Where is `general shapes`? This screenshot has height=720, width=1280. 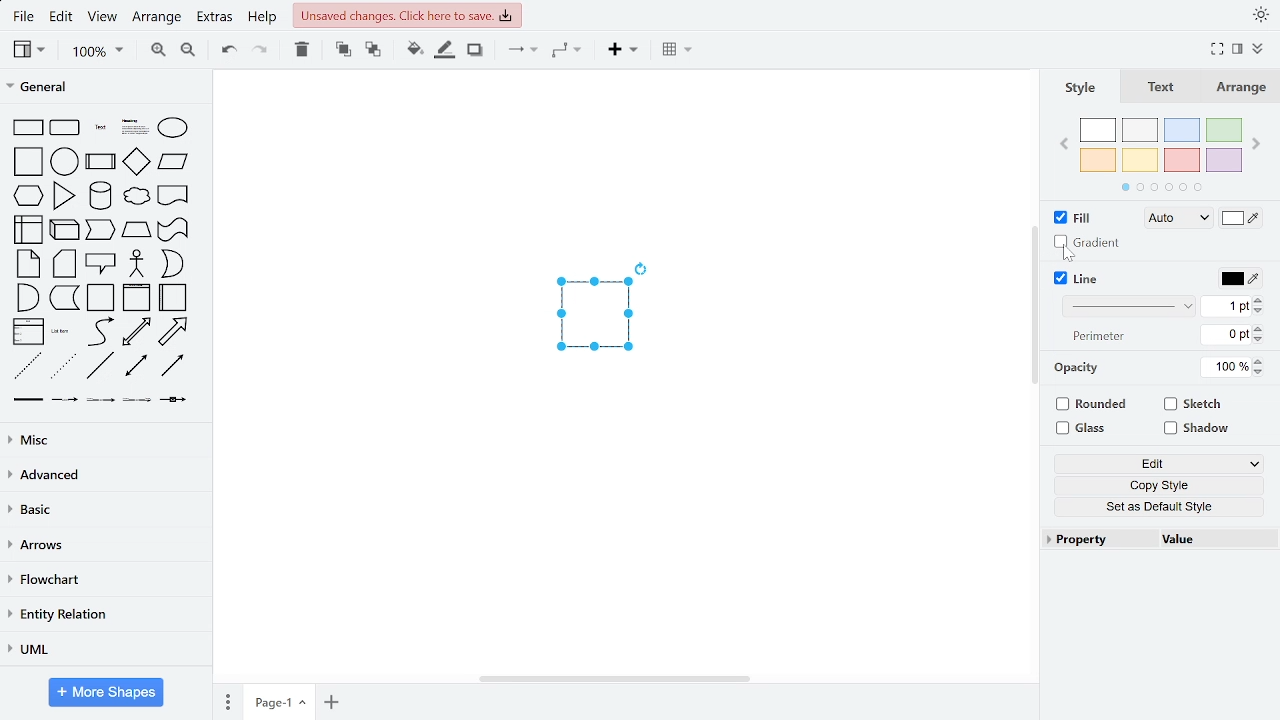 general shapes is located at coordinates (100, 264).